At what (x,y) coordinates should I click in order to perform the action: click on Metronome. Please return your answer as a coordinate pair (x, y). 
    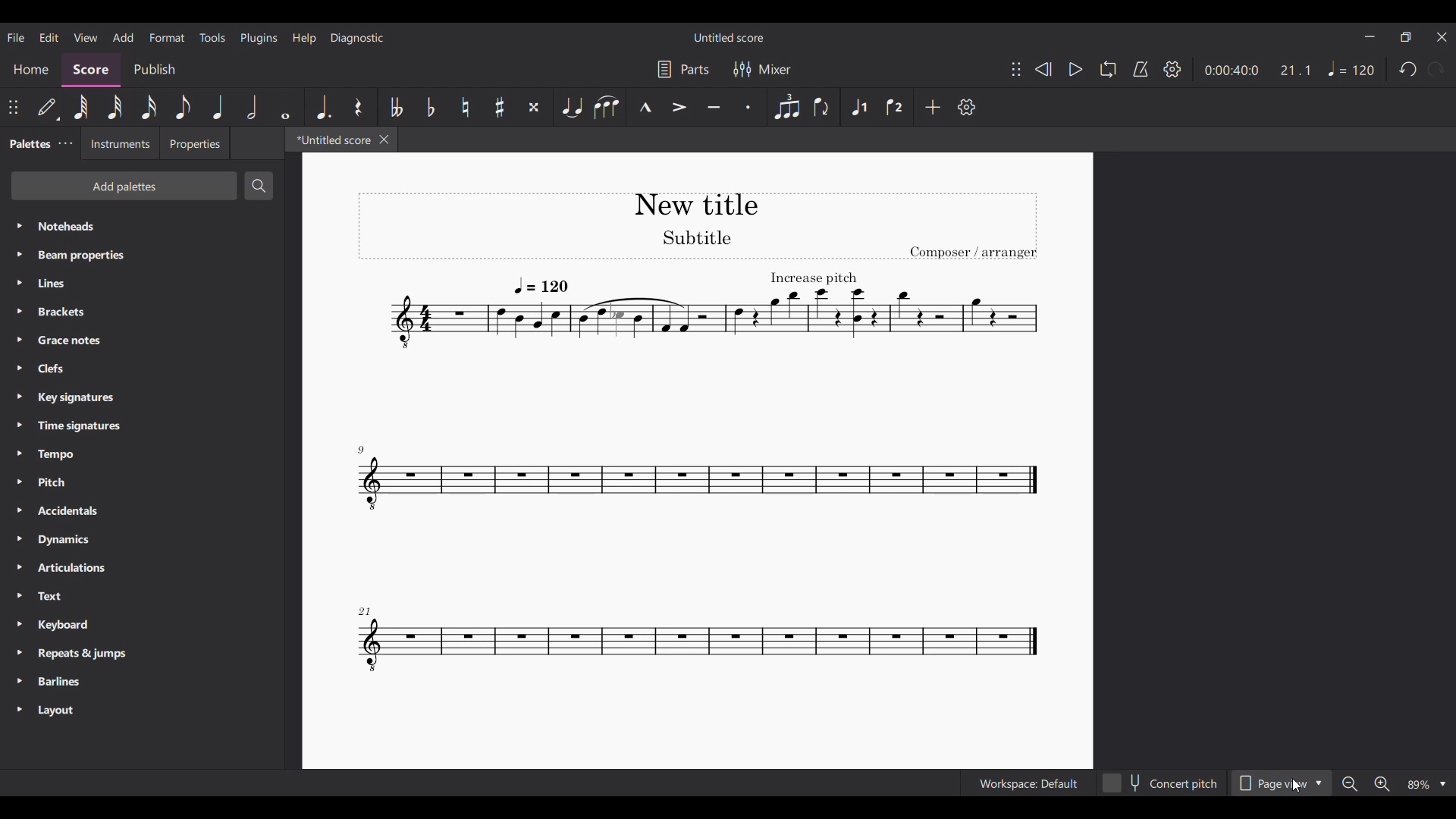
    Looking at the image, I should click on (1141, 69).